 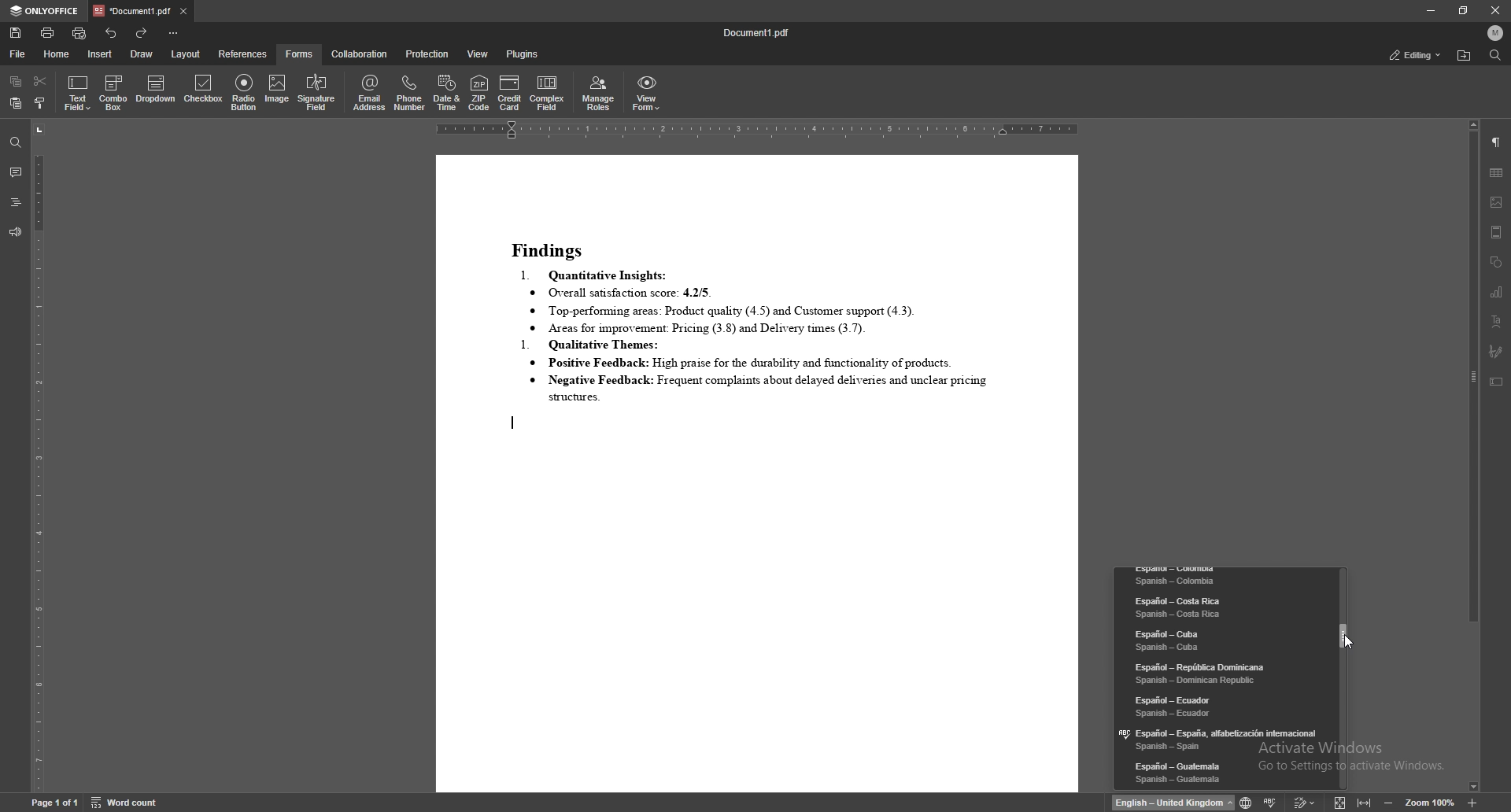 What do you see at coordinates (448, 93) in the screenshot?
I see `date and time` at bounding box center [448, 93].